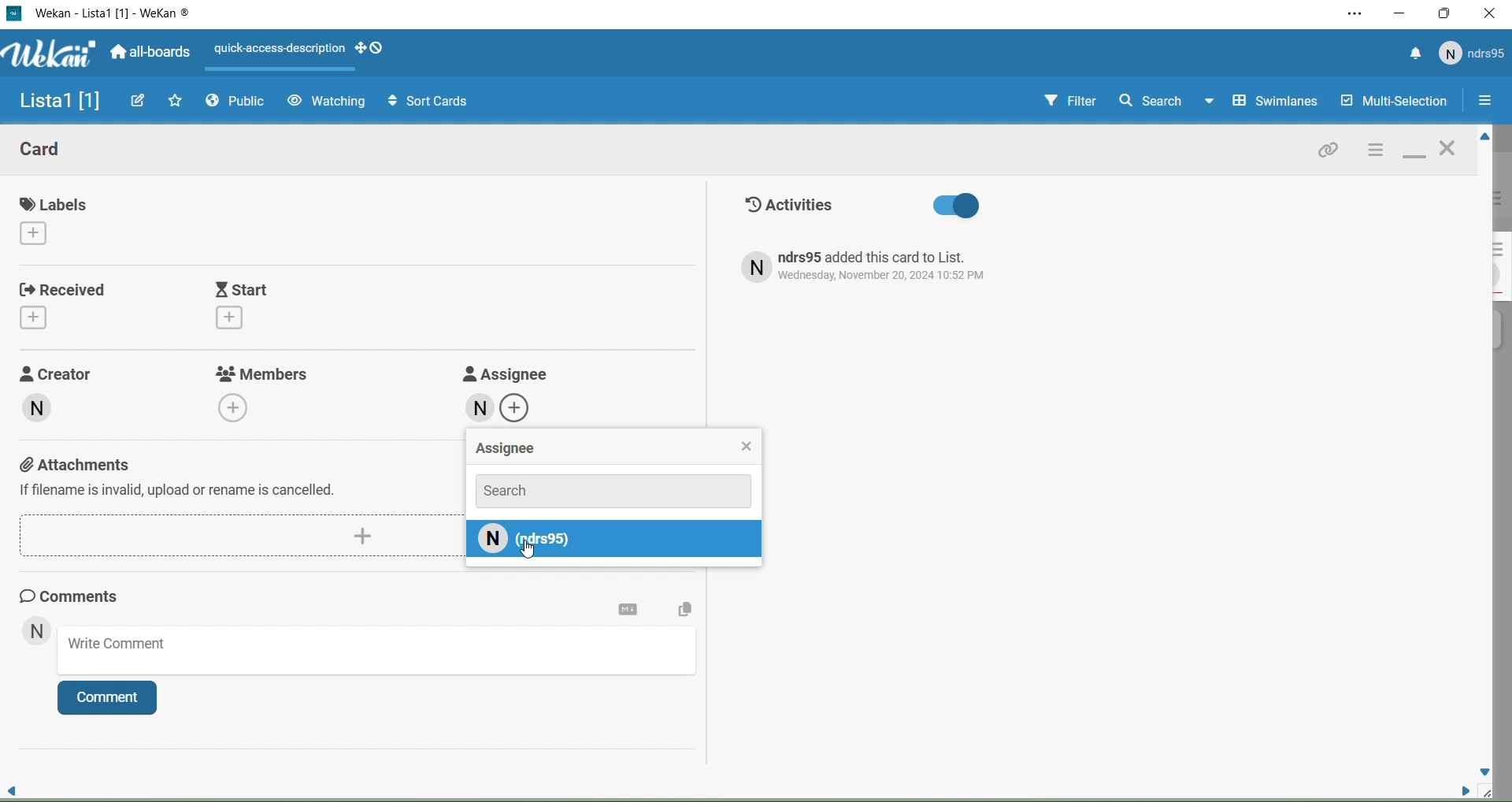 The width and height of the screenshot is (1512, 802). I want to click on Asignee, so click(614, 449).